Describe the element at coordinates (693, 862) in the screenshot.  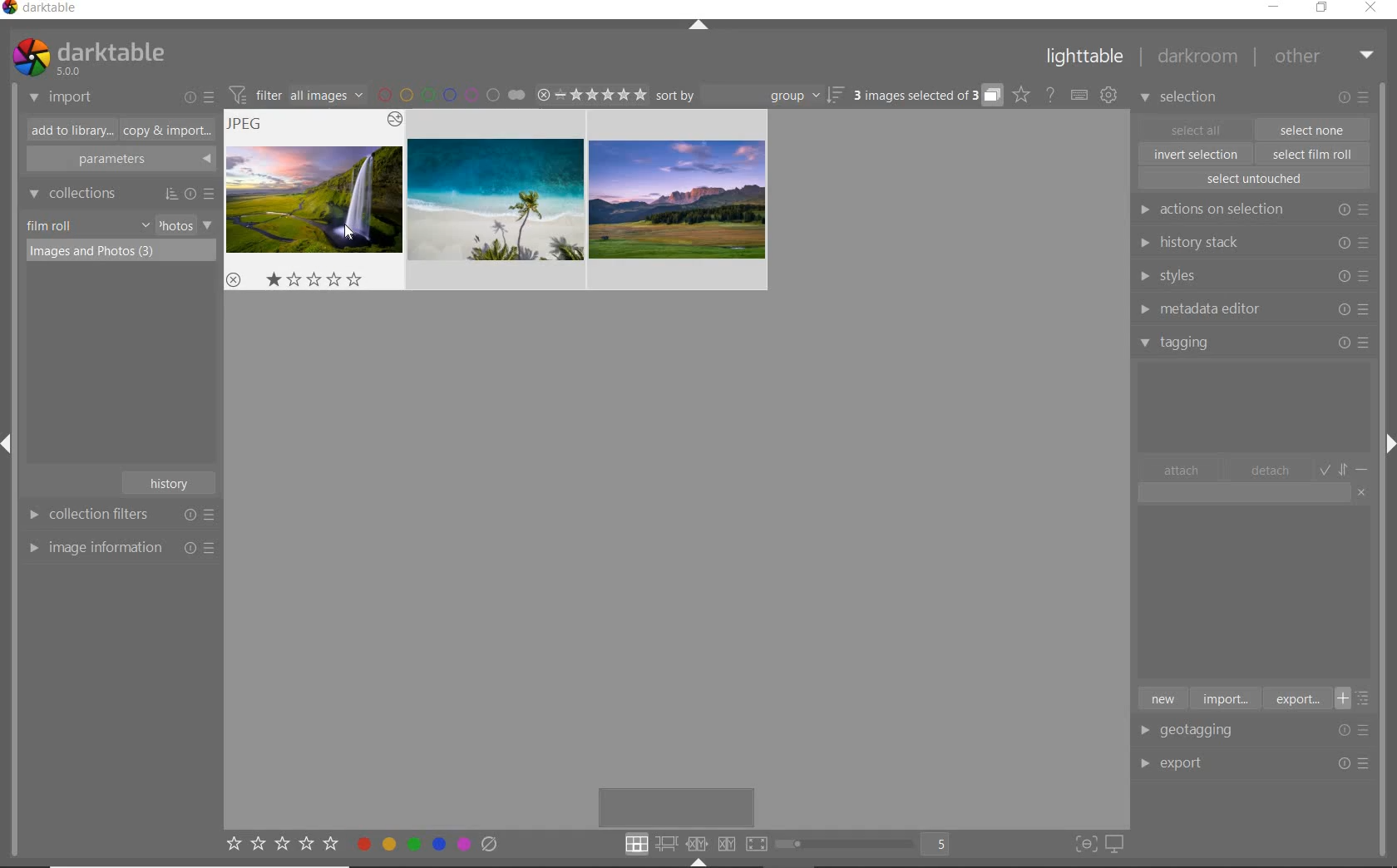
I see `Expand/Collapse` at that location.